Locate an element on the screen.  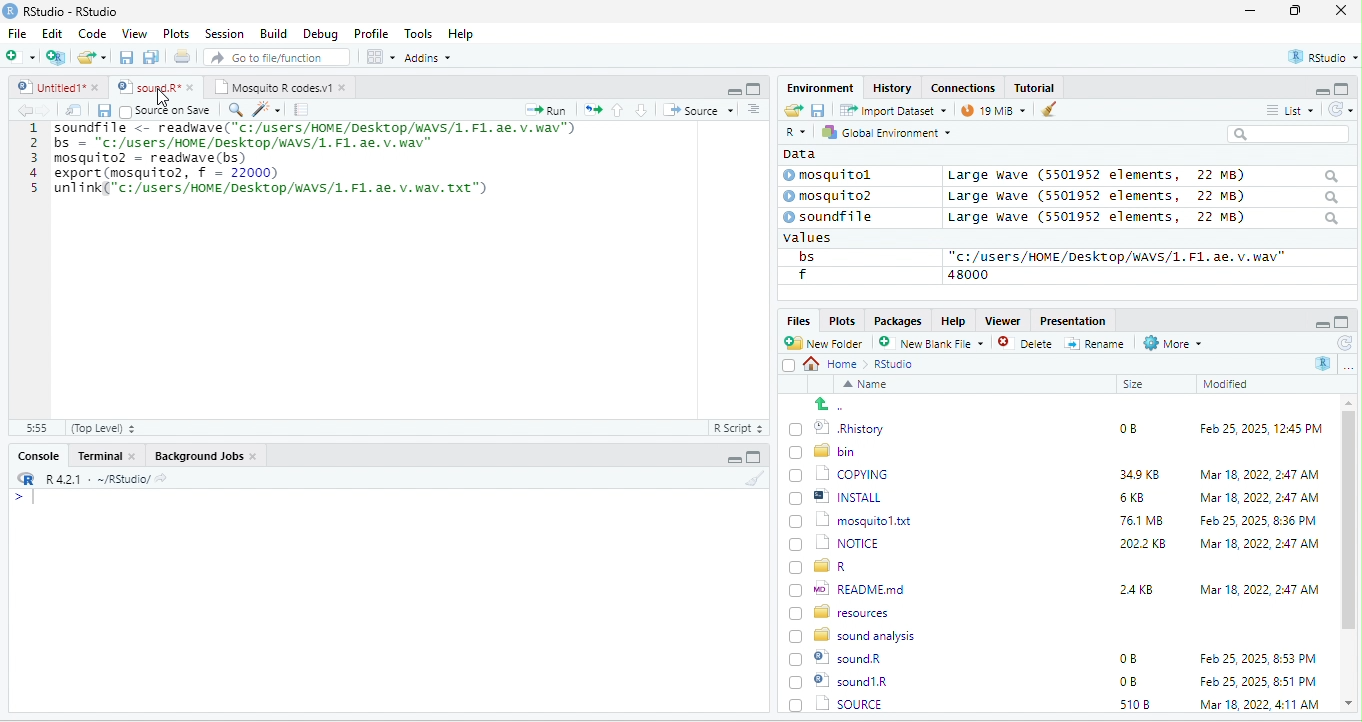
RR R421 - ~/RStudio/ is located at coordinates (87, 481).